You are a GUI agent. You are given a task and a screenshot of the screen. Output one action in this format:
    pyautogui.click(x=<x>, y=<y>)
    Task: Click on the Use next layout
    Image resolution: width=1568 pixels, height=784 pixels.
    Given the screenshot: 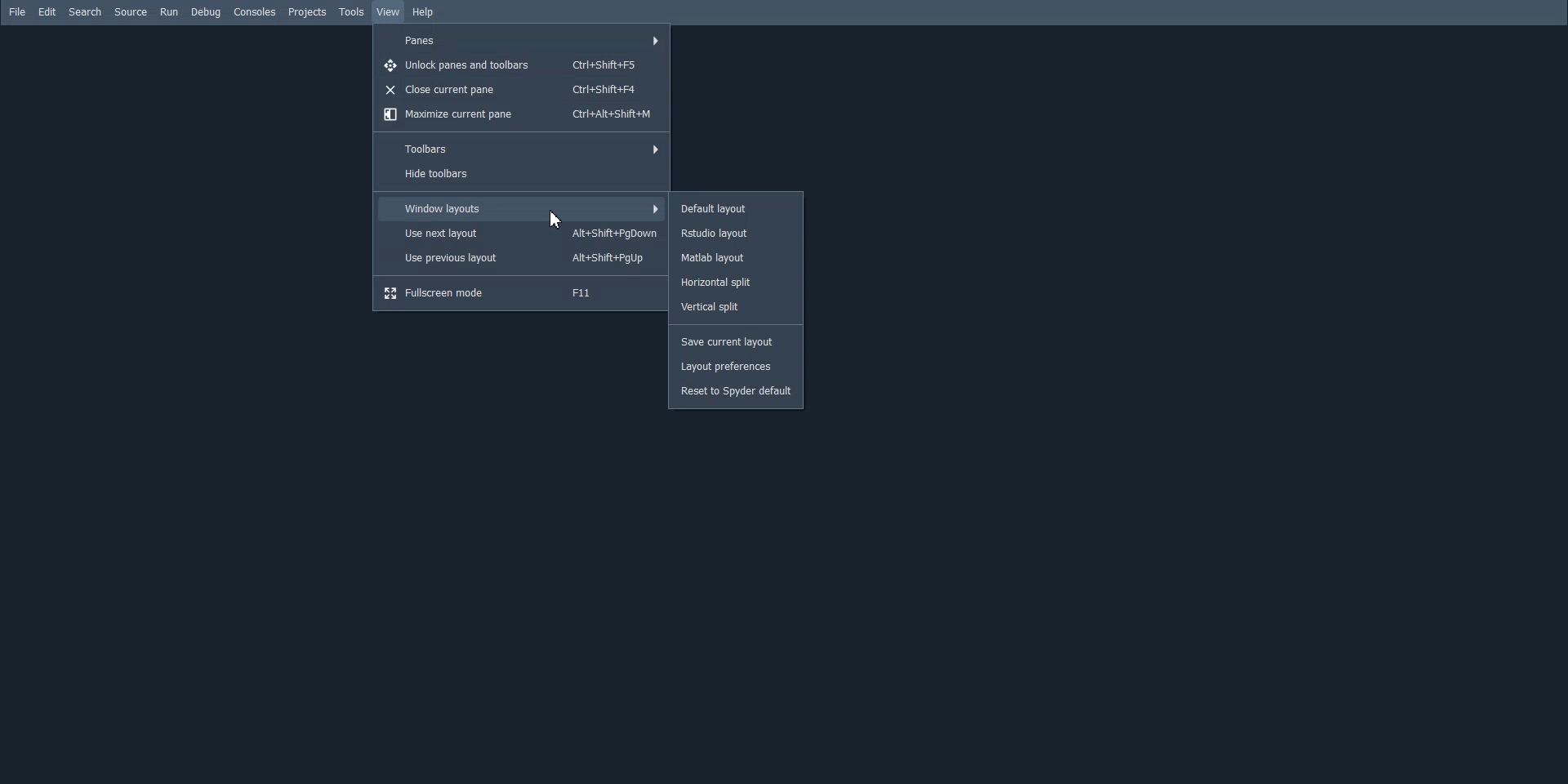 What is the action you would take?
    pyautogui.click(x=523, y=234)
    